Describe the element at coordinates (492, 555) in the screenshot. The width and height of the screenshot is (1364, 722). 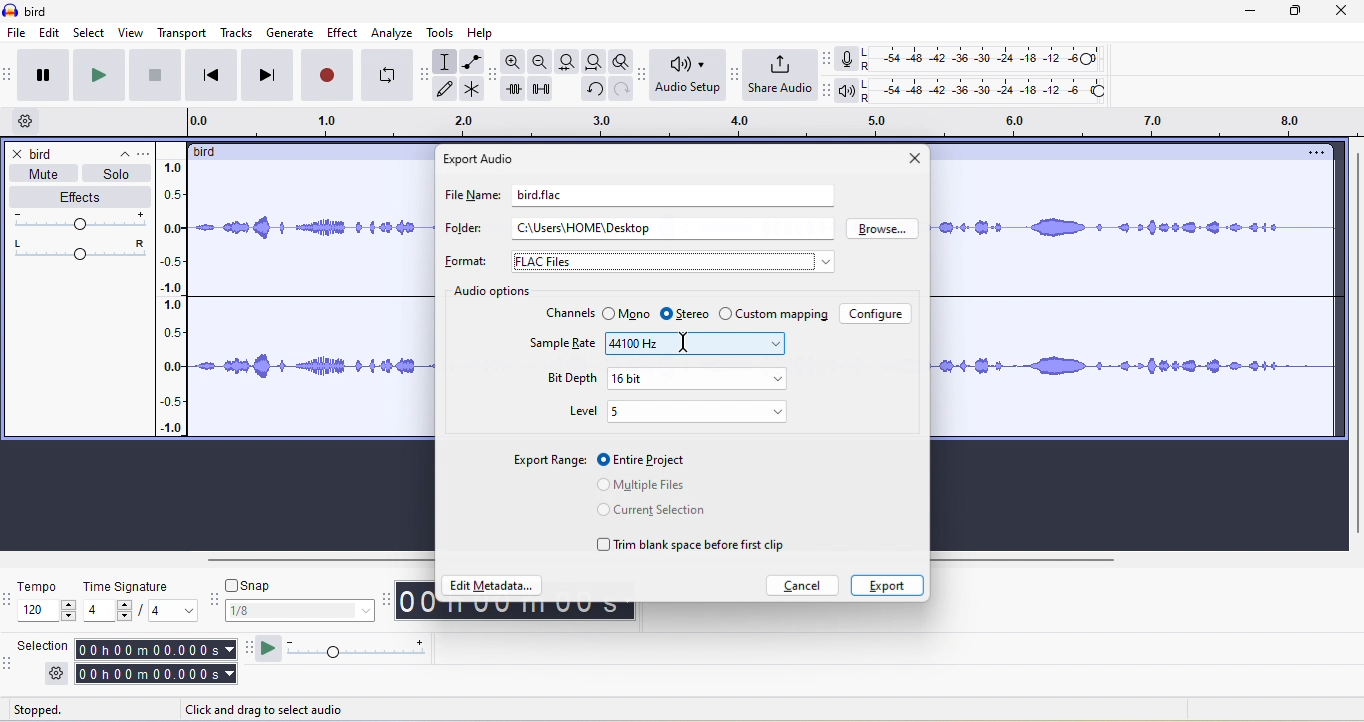
I see `edit metadata` at that location.